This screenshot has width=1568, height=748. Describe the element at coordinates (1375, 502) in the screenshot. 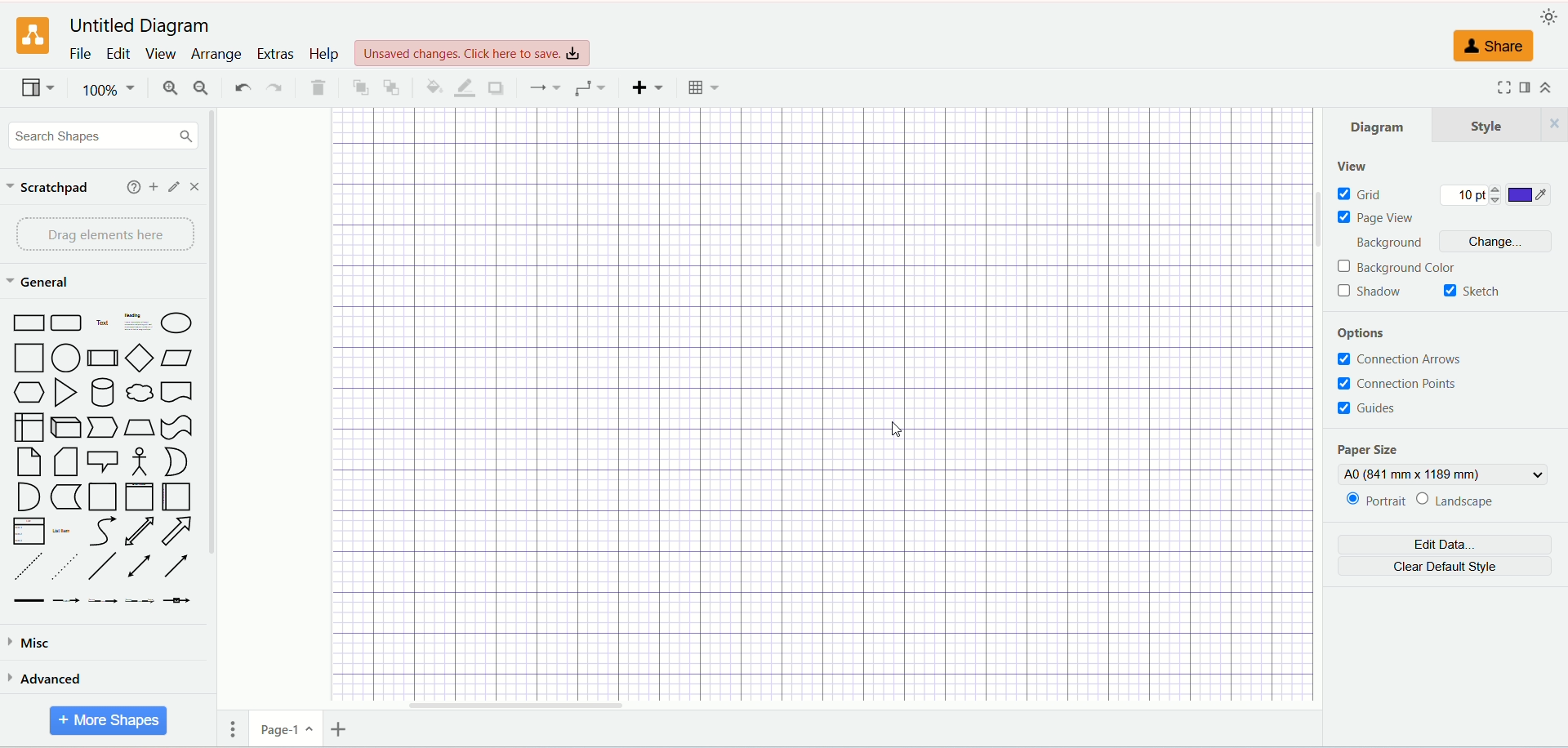

I see `portrait` at that location.